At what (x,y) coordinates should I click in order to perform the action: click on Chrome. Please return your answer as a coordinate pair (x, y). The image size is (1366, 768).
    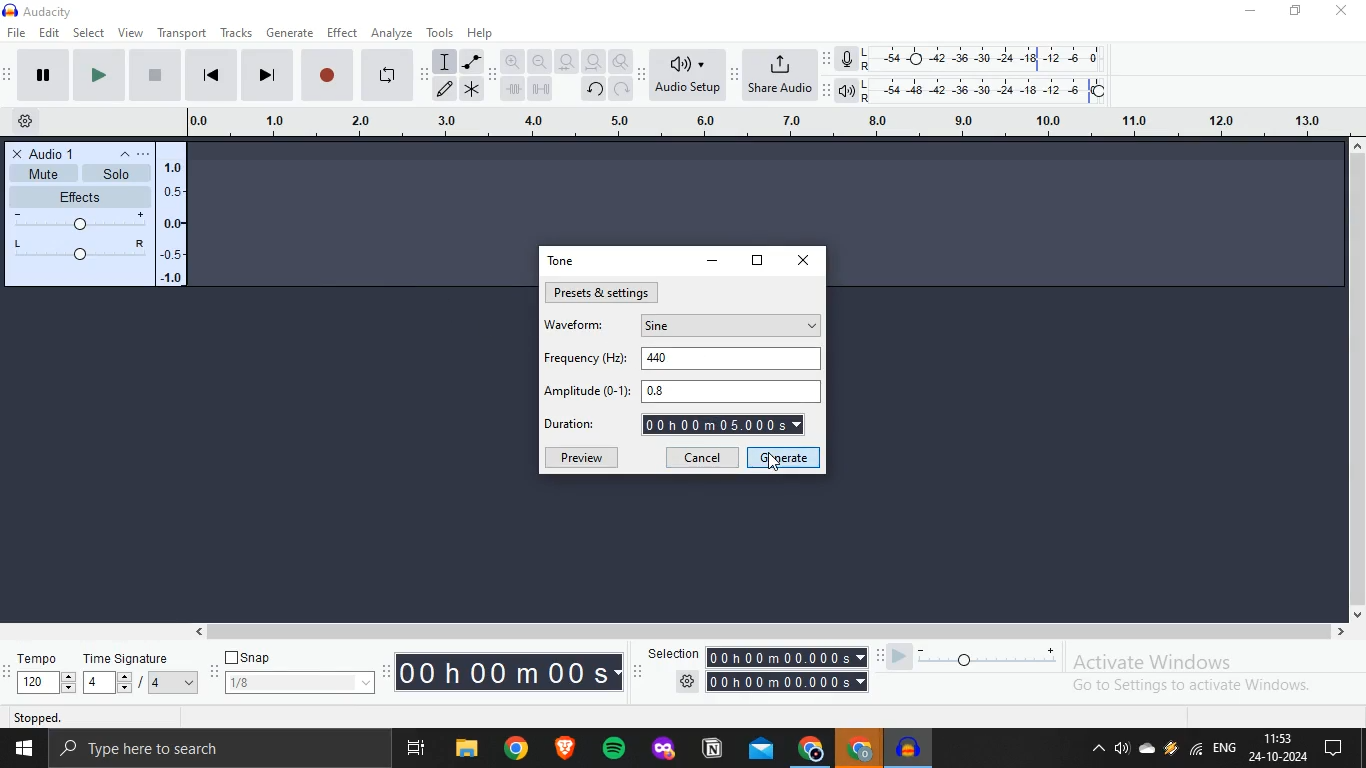
    Looking at the image, I should click on (856, 750).